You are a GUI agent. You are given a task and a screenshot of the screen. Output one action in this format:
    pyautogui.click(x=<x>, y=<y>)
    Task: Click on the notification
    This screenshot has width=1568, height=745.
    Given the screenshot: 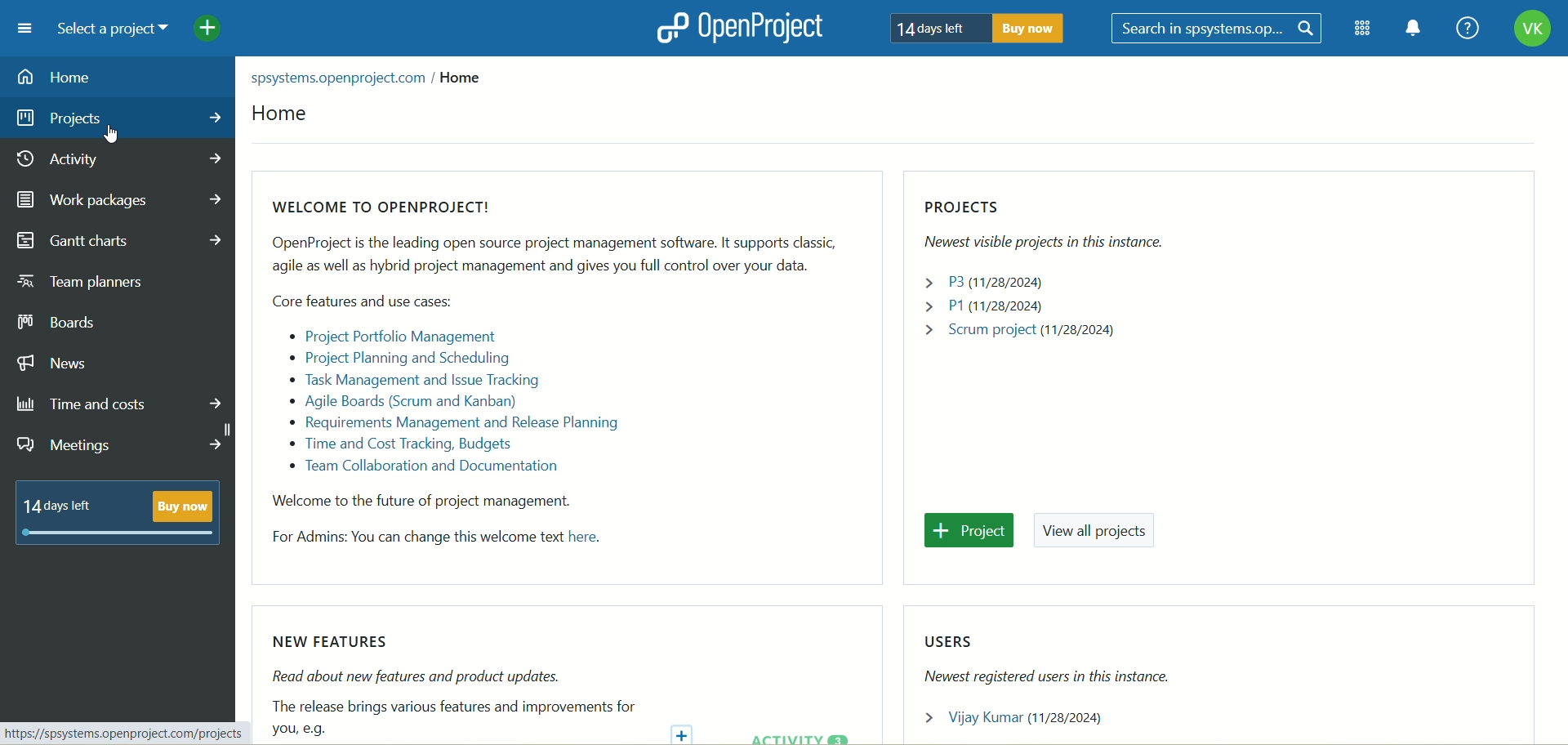 What is the action you would take?
    pyautogui.click(x=1412, y=29)
    